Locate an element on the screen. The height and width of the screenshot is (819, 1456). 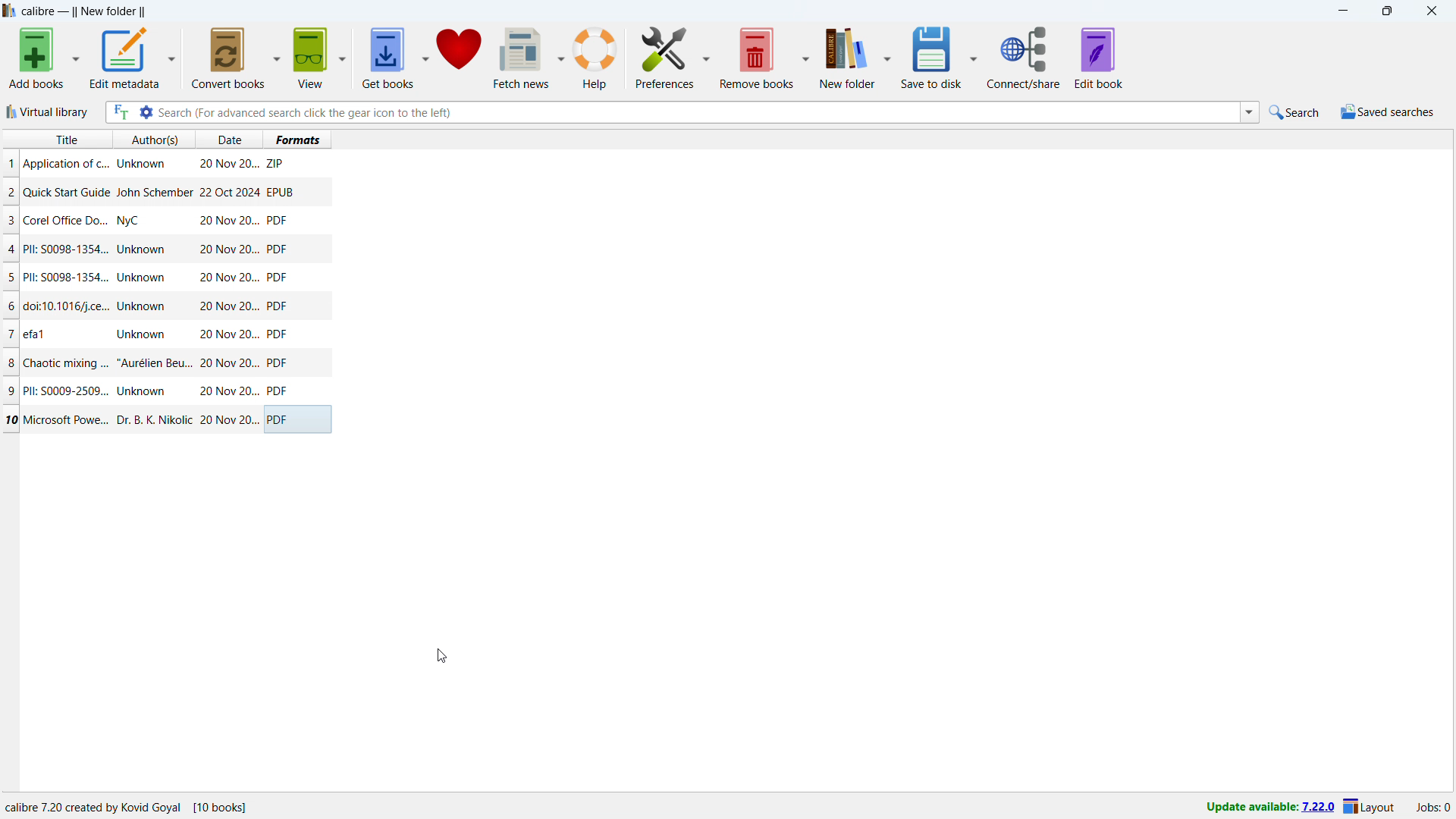
20 Nov 20... is located at coordinates (229, 165).